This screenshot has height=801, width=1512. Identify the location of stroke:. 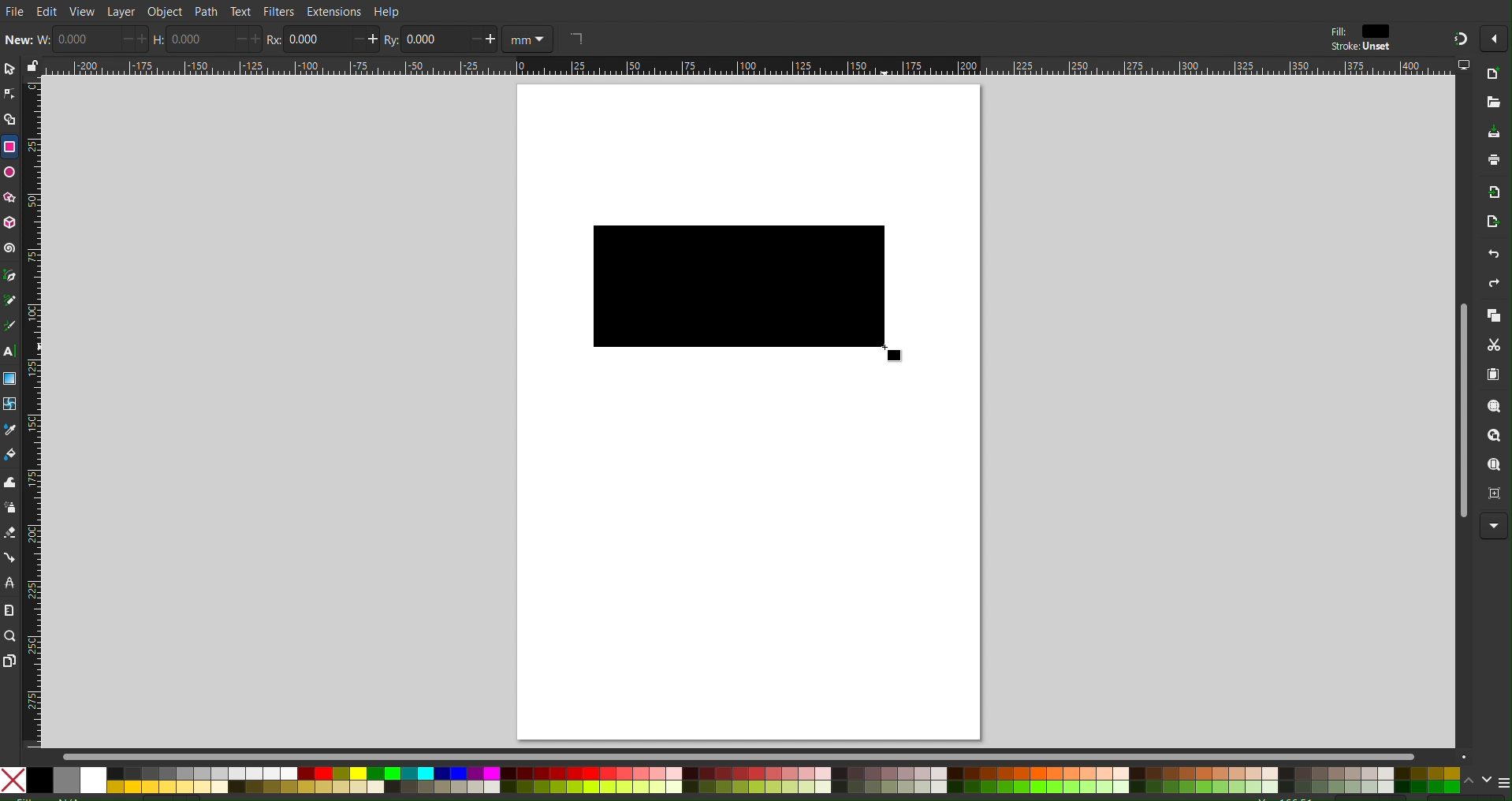
(1357, 47).